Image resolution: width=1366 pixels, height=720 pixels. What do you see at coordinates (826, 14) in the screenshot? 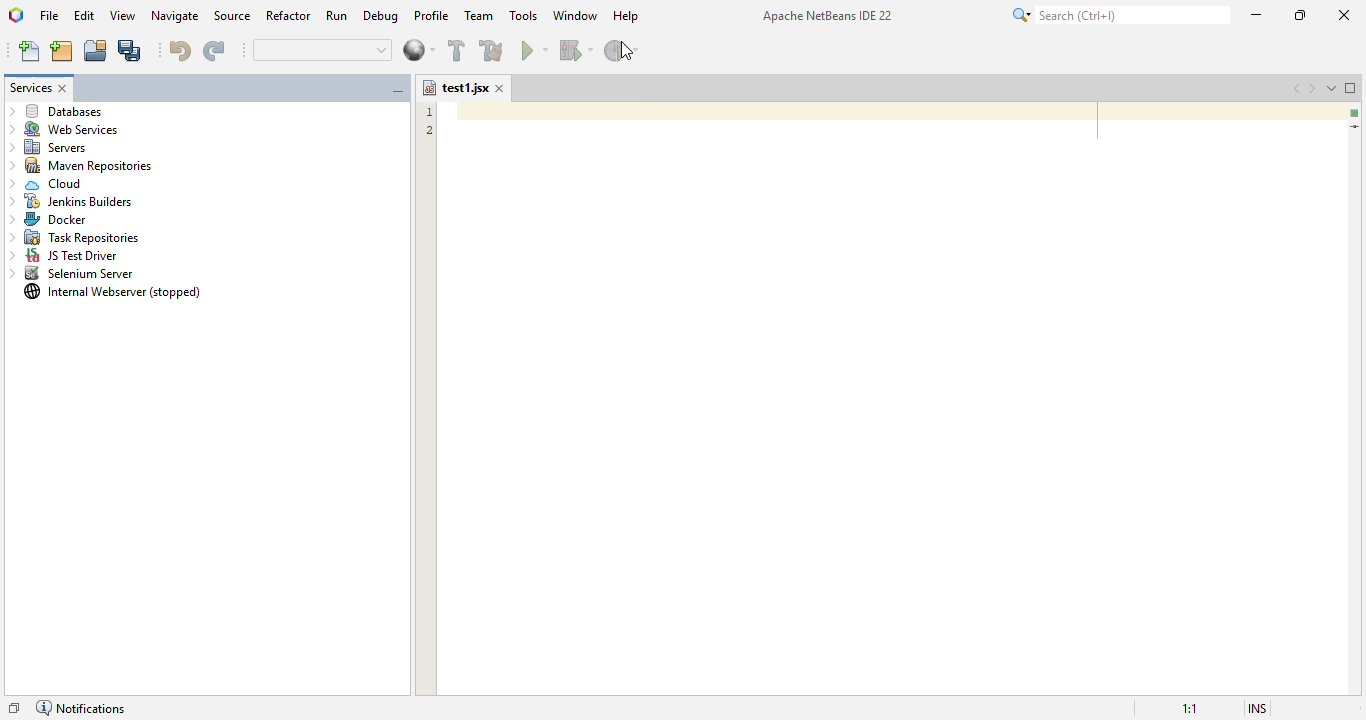
I see `Apache NetBeans IDE 22` at bounding box center [826, 14].